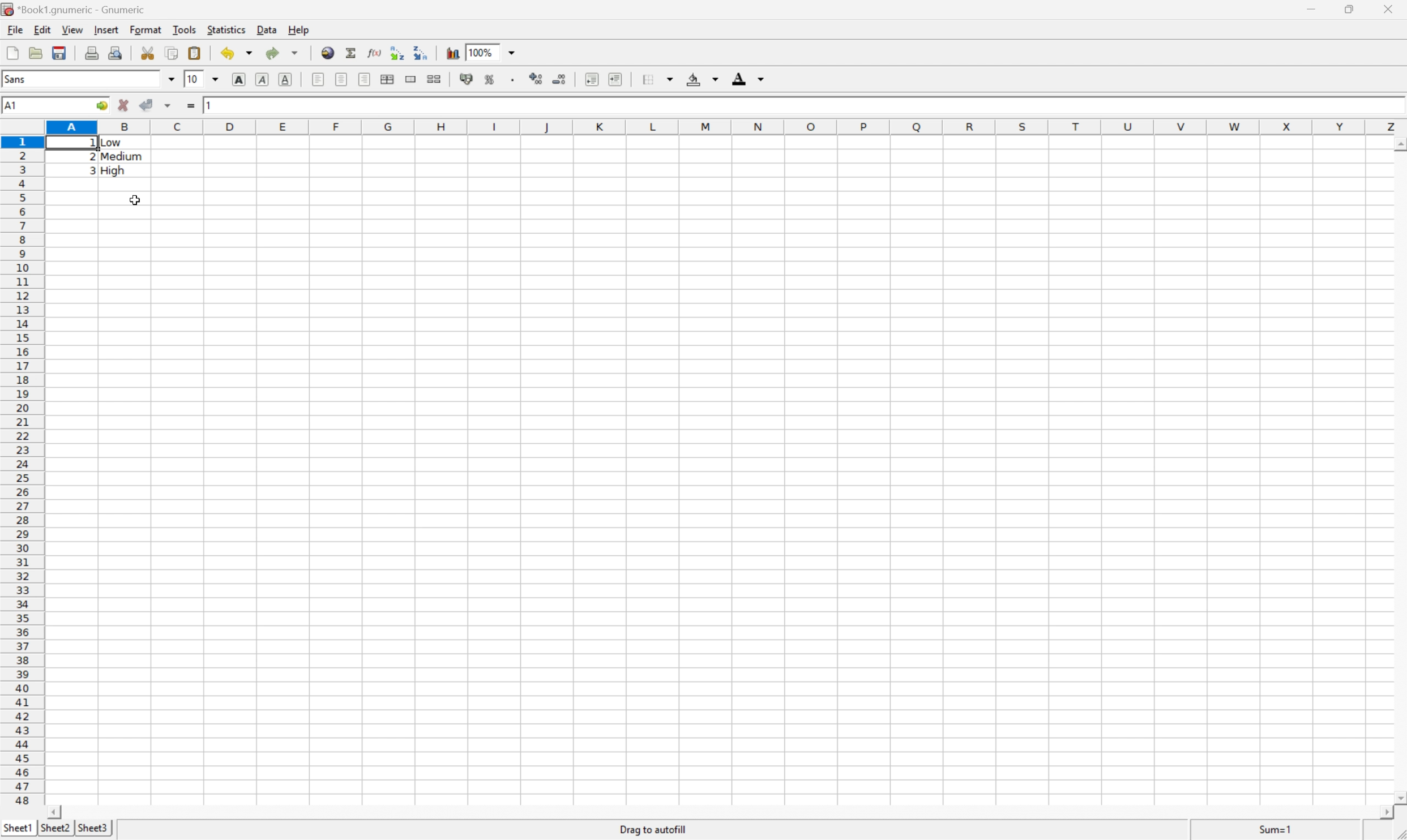  What do you see at coordinates (365, 80) in the screenshot?
I see `Align Right` at bounding box center [365, 80].